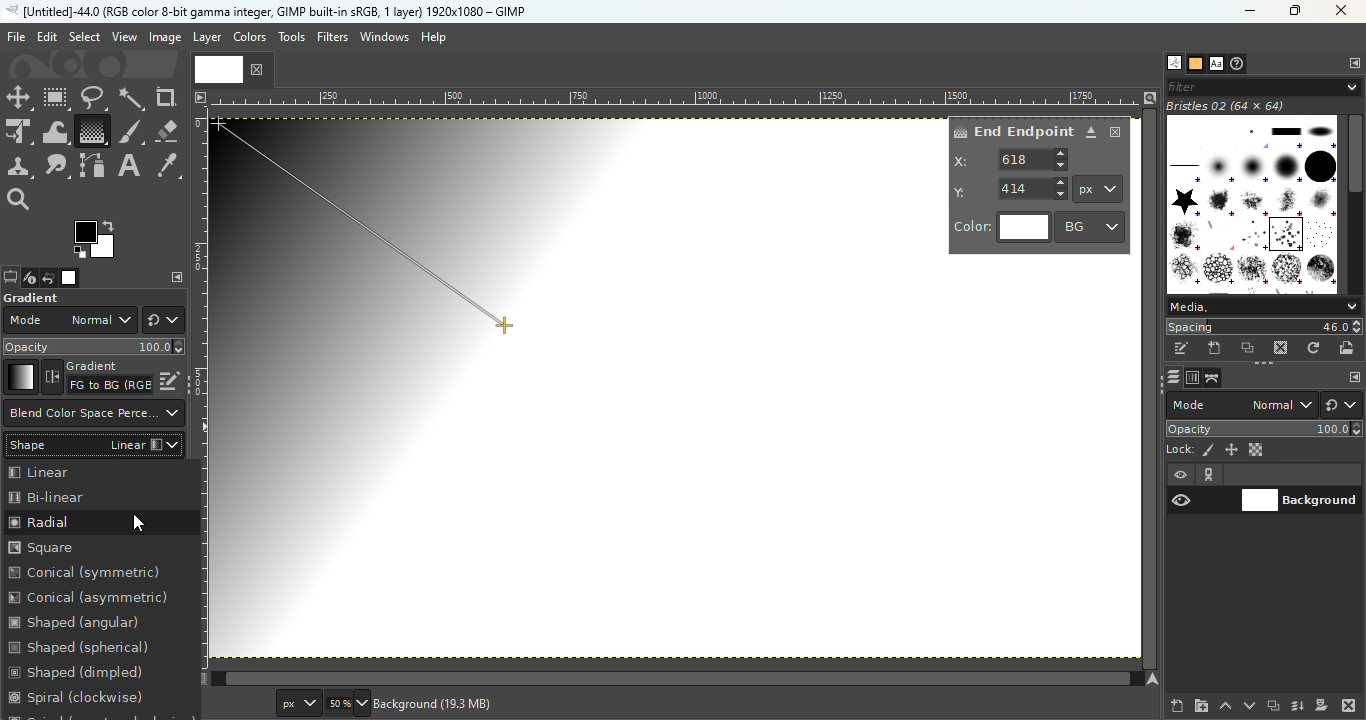 The height and width of the screenshot is (720, 1366). Describe the element at coordinates (333, 37) in the screenshot. I see `Filters` at that location.